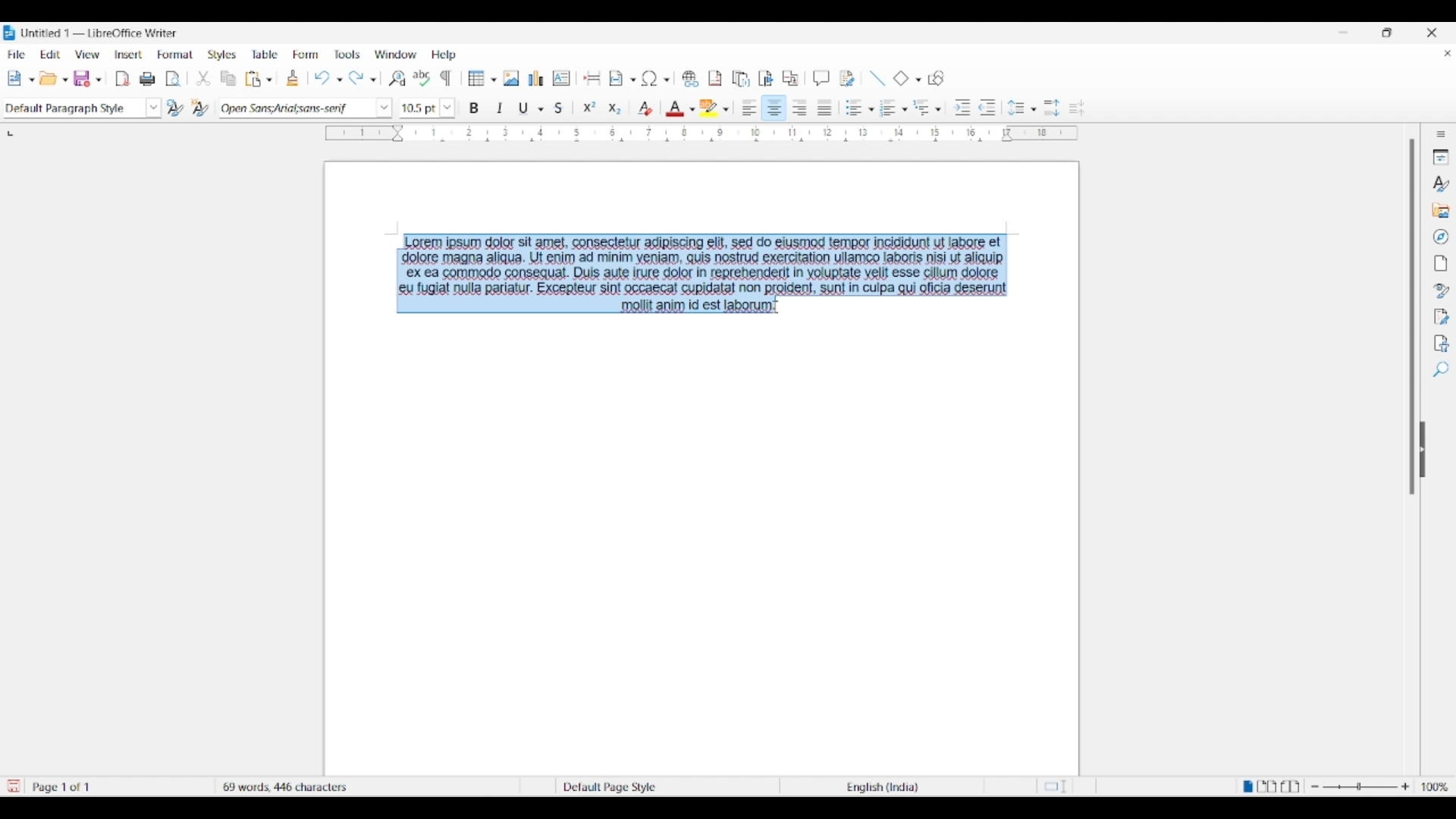 This screenshot has width=1456, height=819. Describe the element at coordinates (690, 79) in the screenshot. I see `Insert hyperlink` at that location.